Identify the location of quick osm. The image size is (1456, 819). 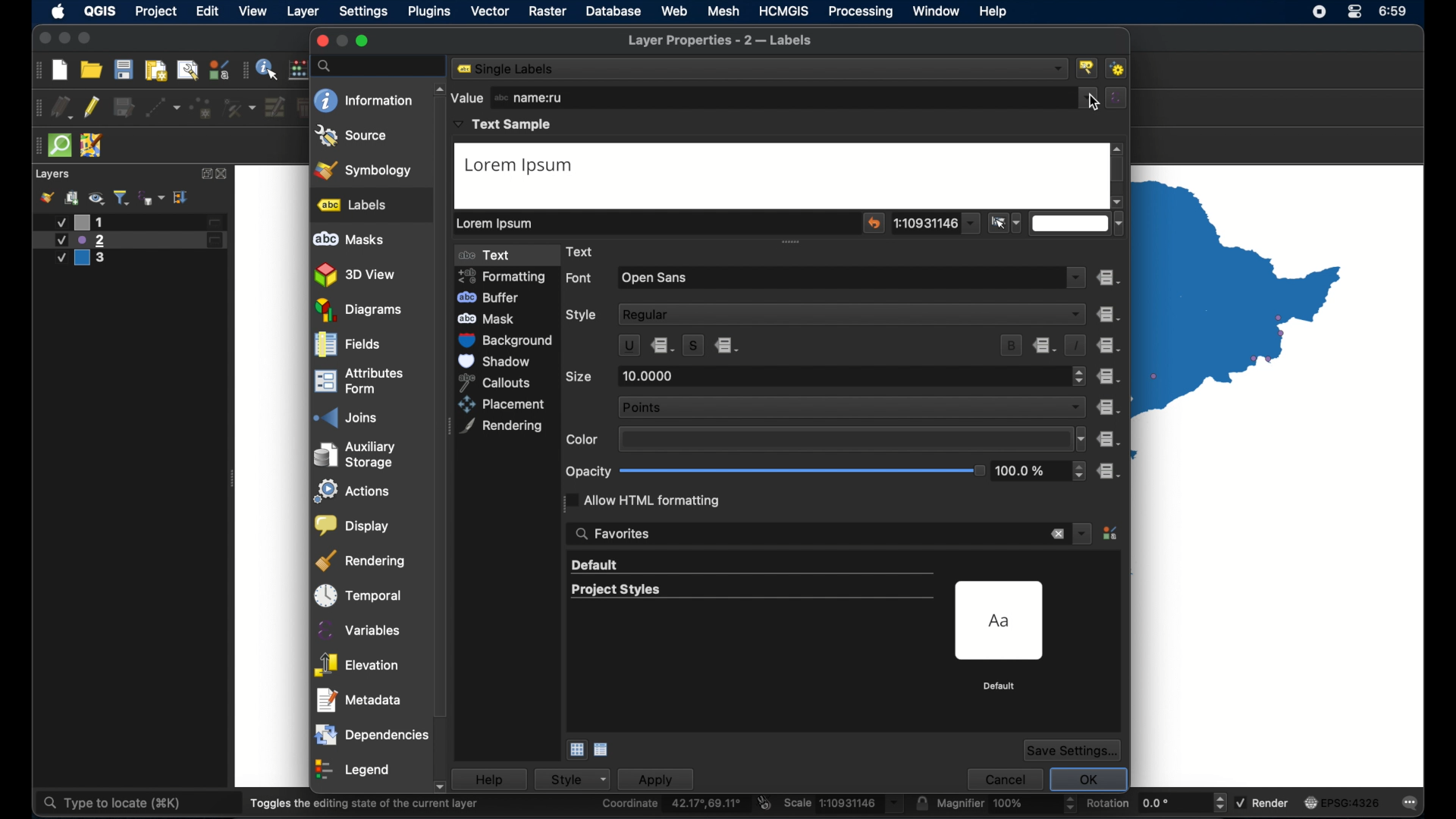
(61, 146).